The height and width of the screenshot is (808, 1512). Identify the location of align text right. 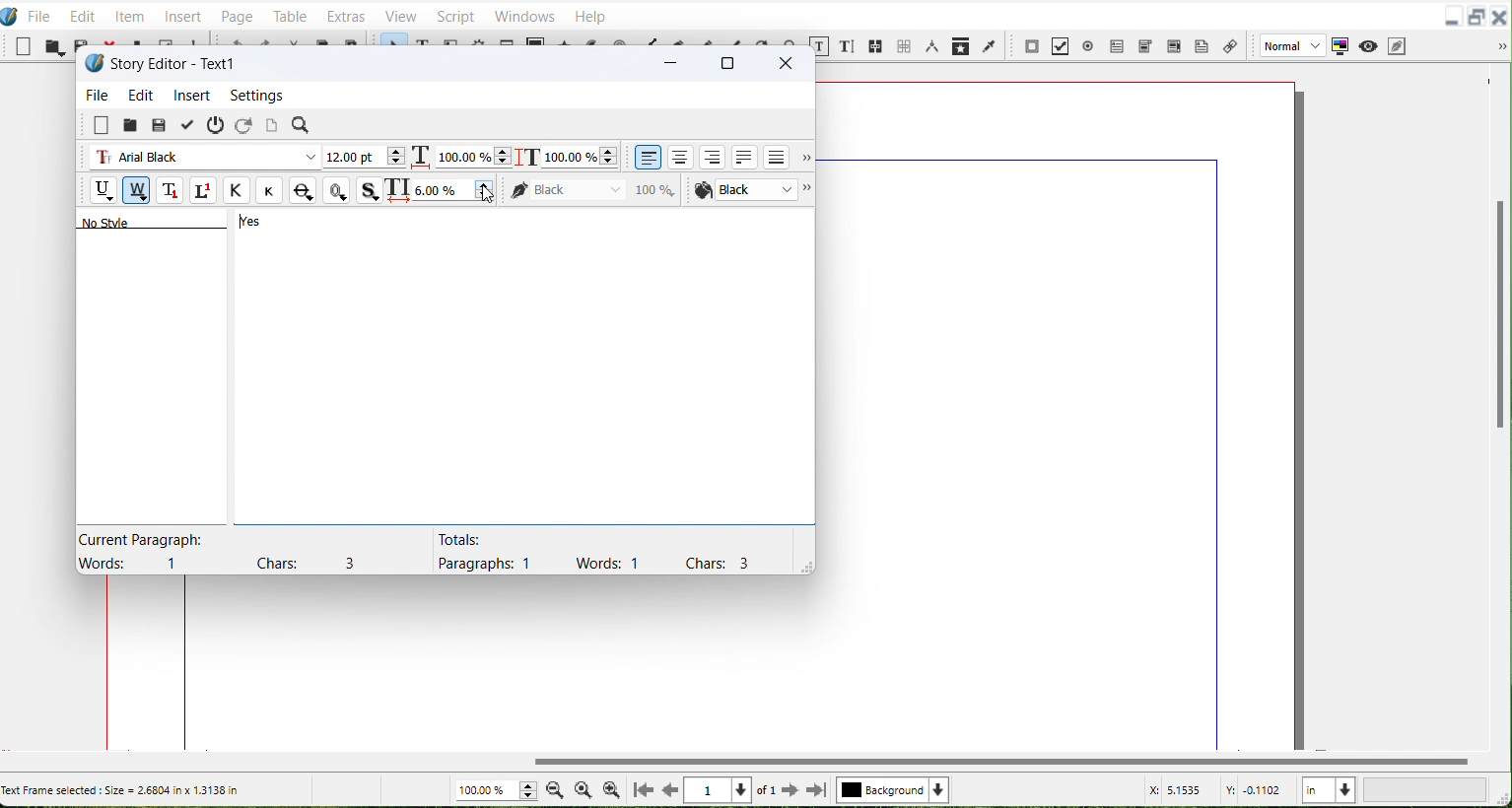
(713, 157).